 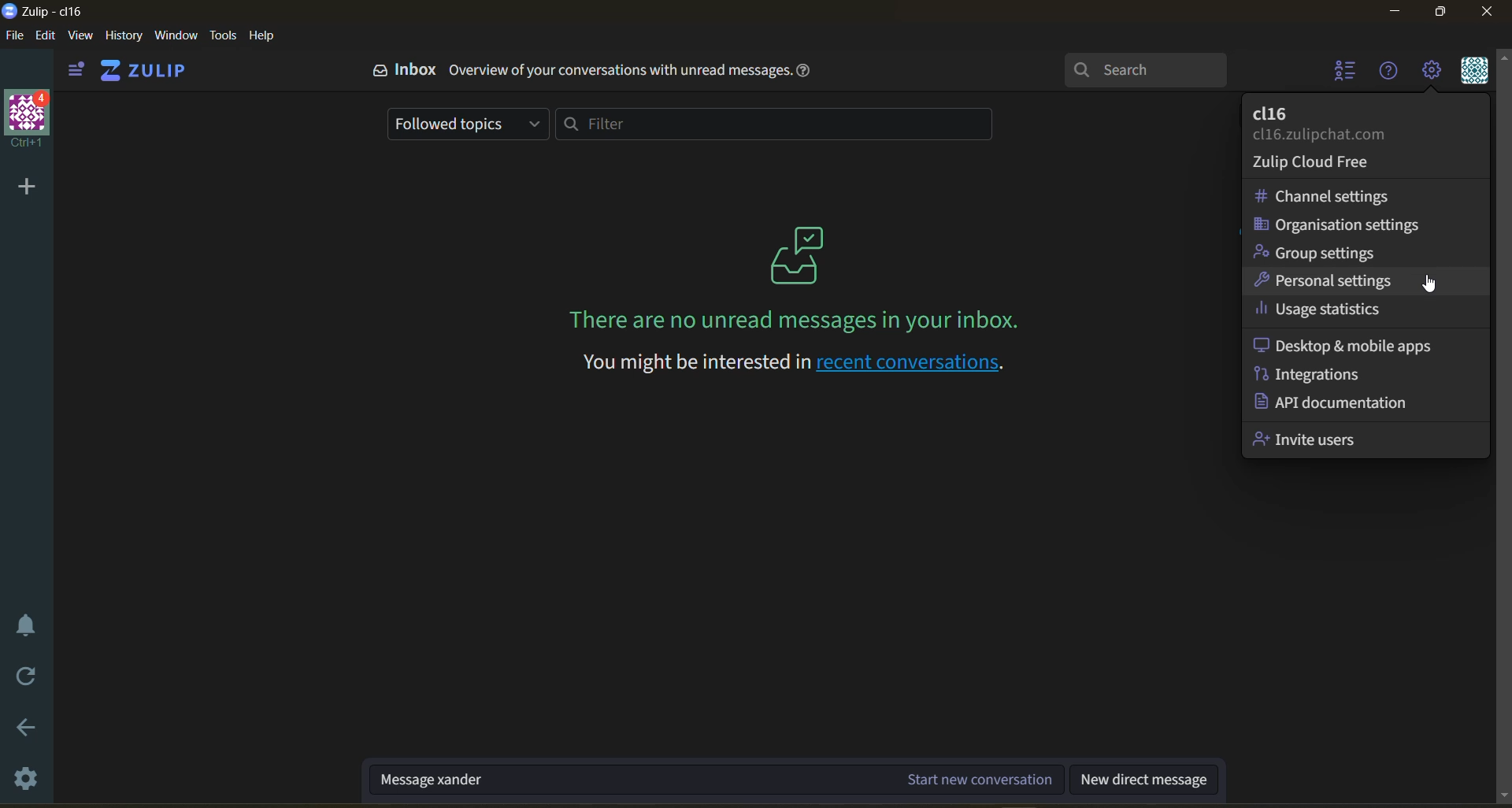 What do you see at coordinates (58, 11) in the screenshot?
I see `app name and organisation name` at bounding box center [58, 11].